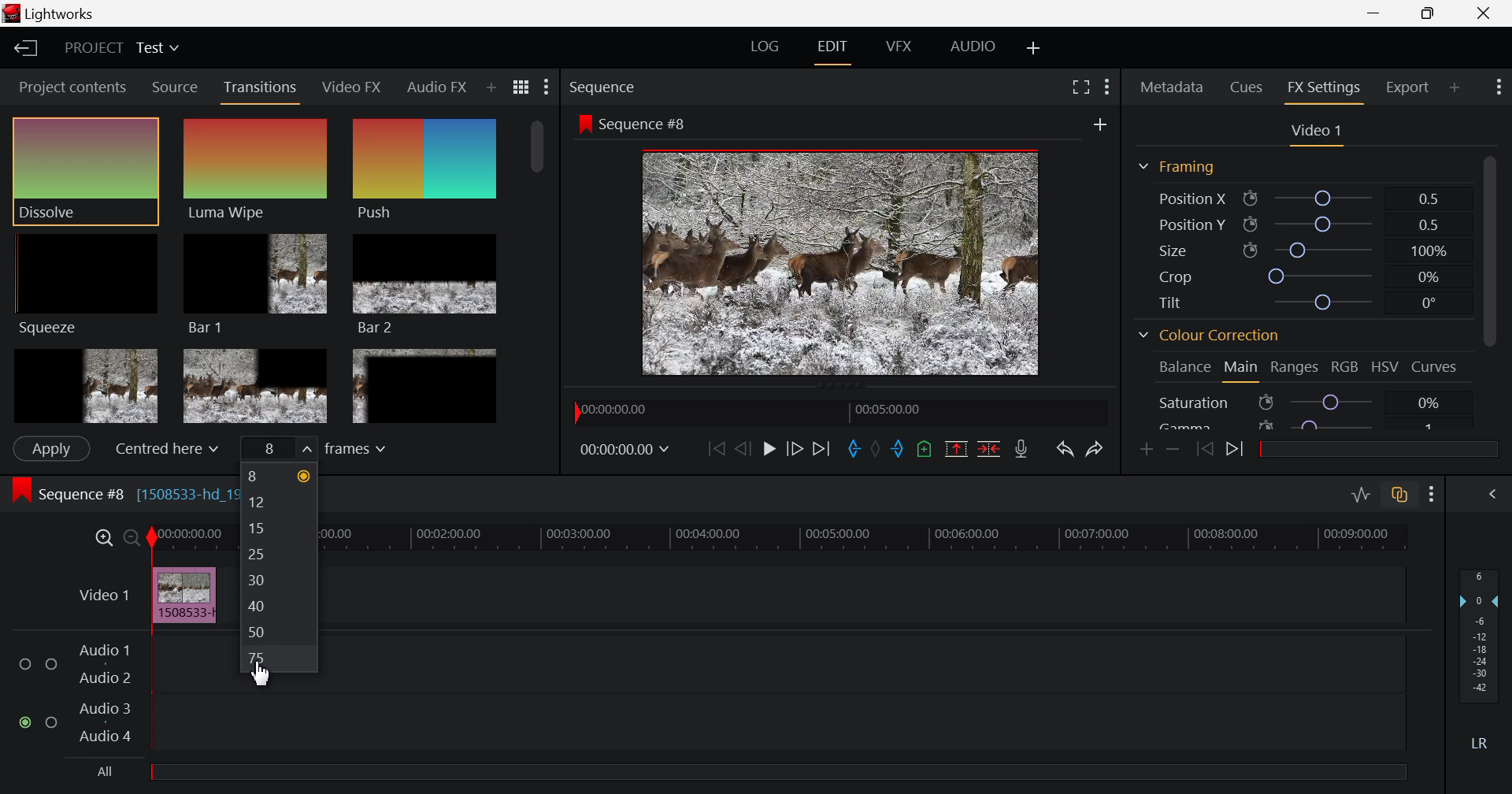  What do you see at coordinates (424, 171) in the screenshot?
I see `Push` at bounding box center [424, 171].